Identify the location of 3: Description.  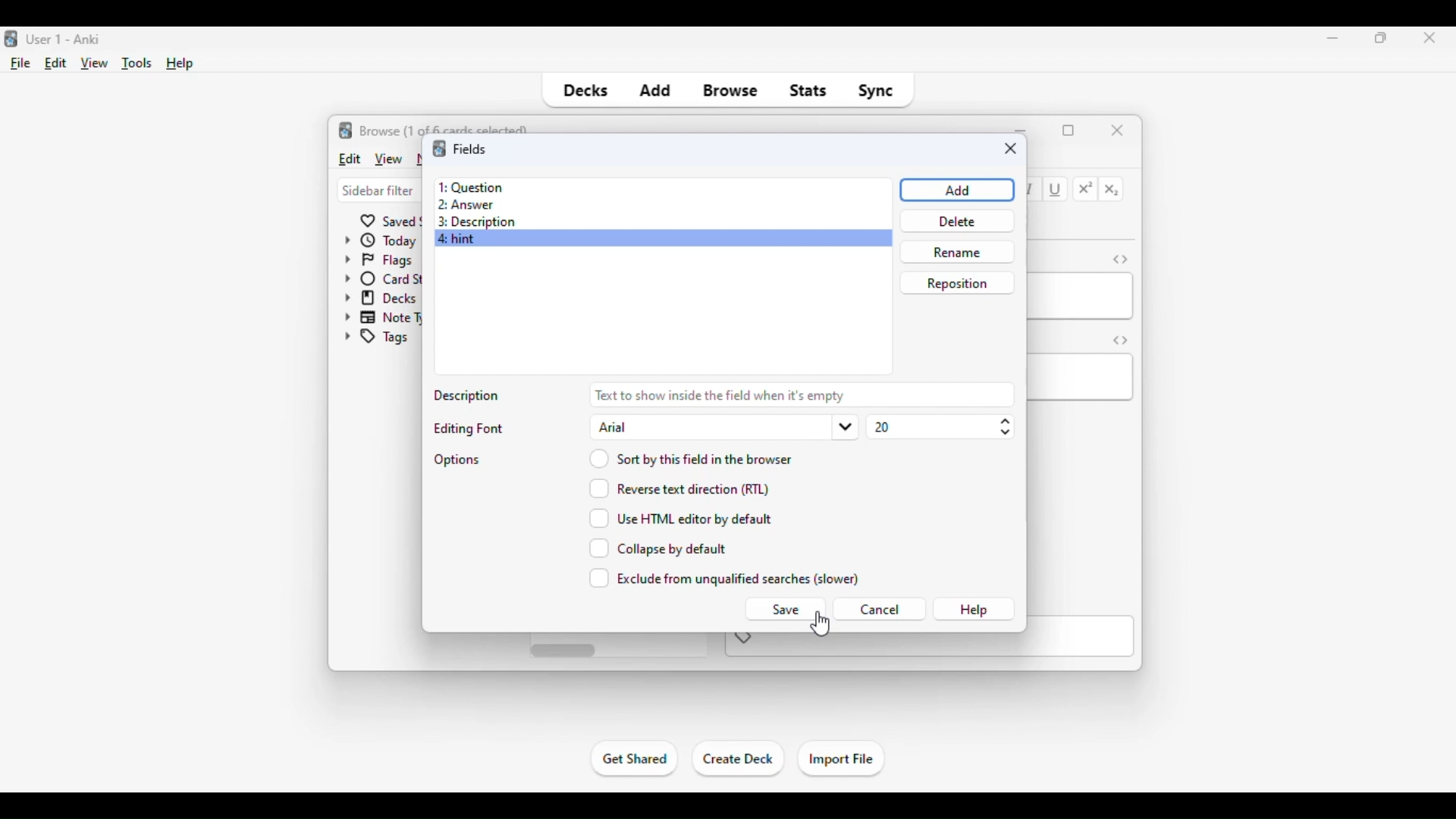
(482, 223).